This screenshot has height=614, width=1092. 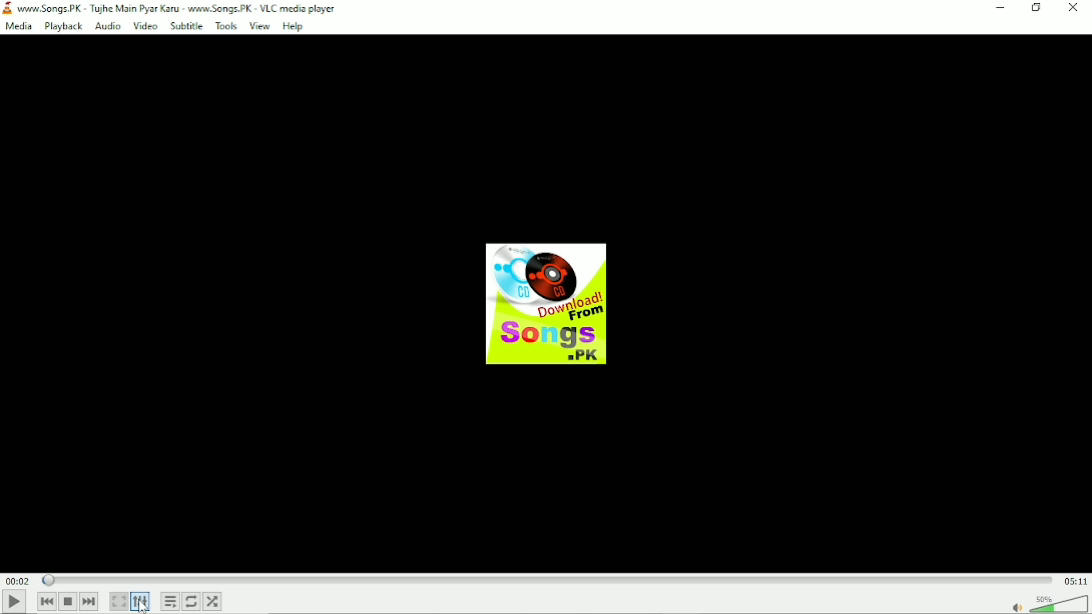 I want to click on Toggle video in fullscreen, so click(x=118, y=602).